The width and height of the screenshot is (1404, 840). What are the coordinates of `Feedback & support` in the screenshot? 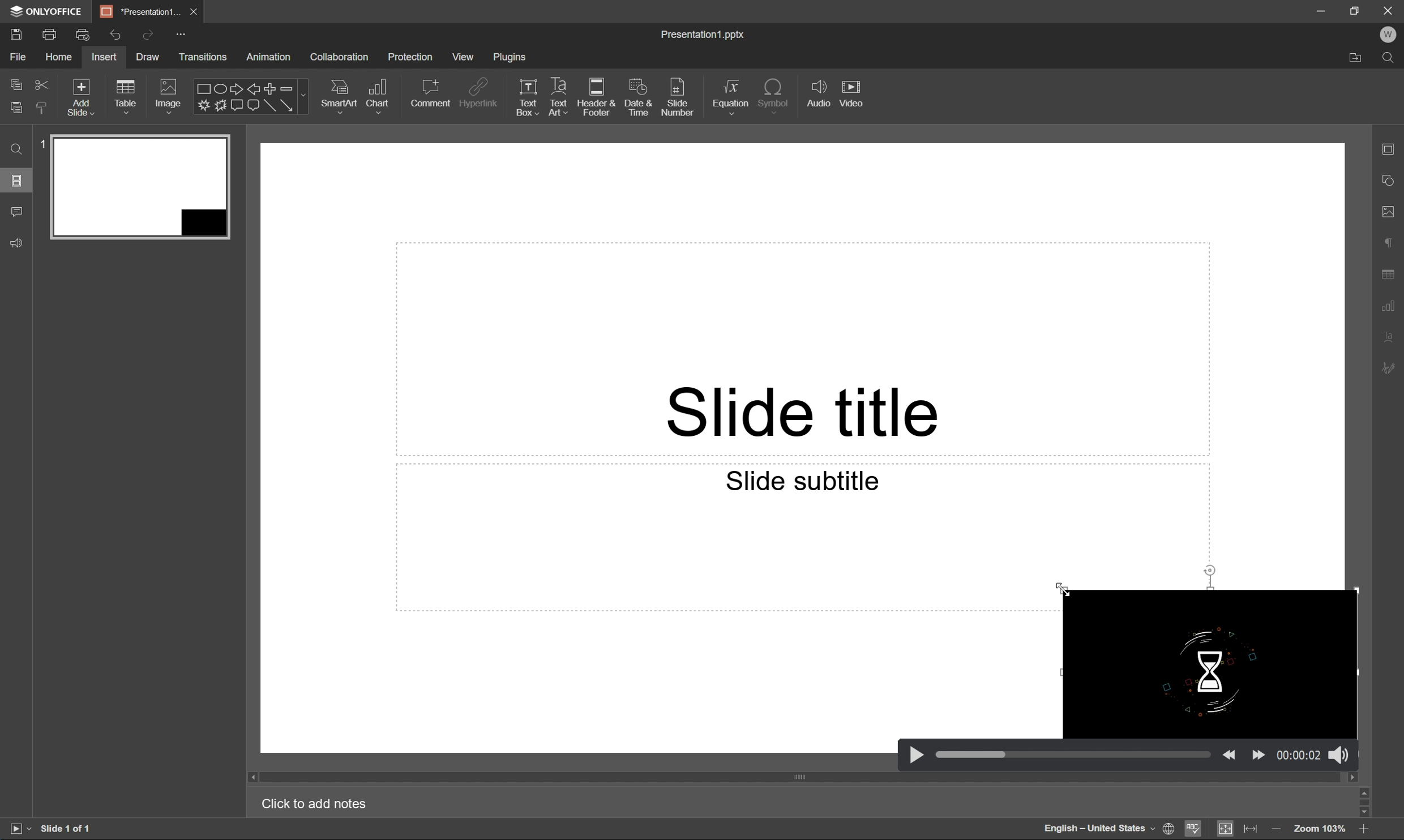 It's located at (19, 242).